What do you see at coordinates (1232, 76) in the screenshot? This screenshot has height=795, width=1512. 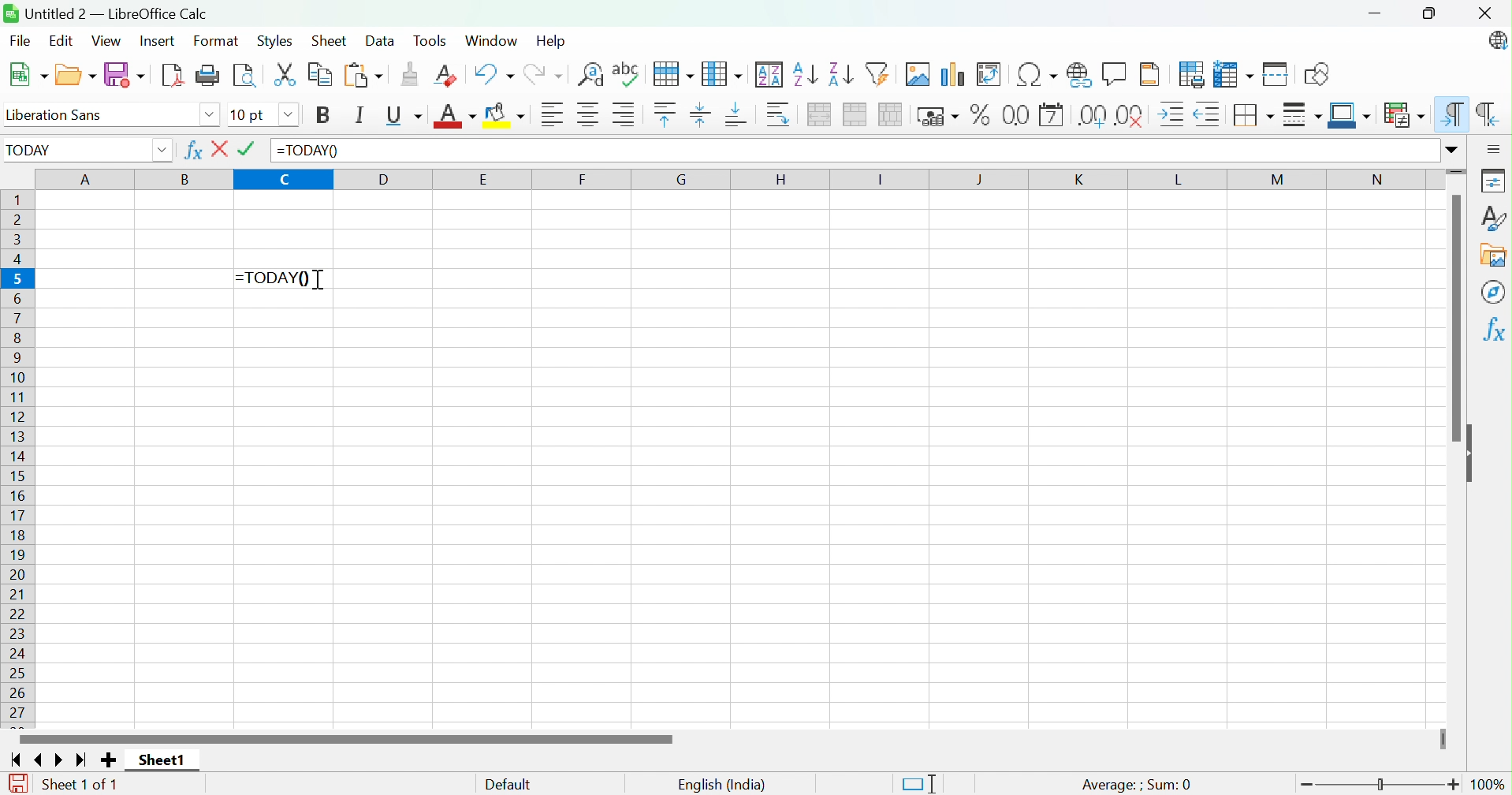 I see `Freeze rows and columns` at bounding box center [1232, 76].